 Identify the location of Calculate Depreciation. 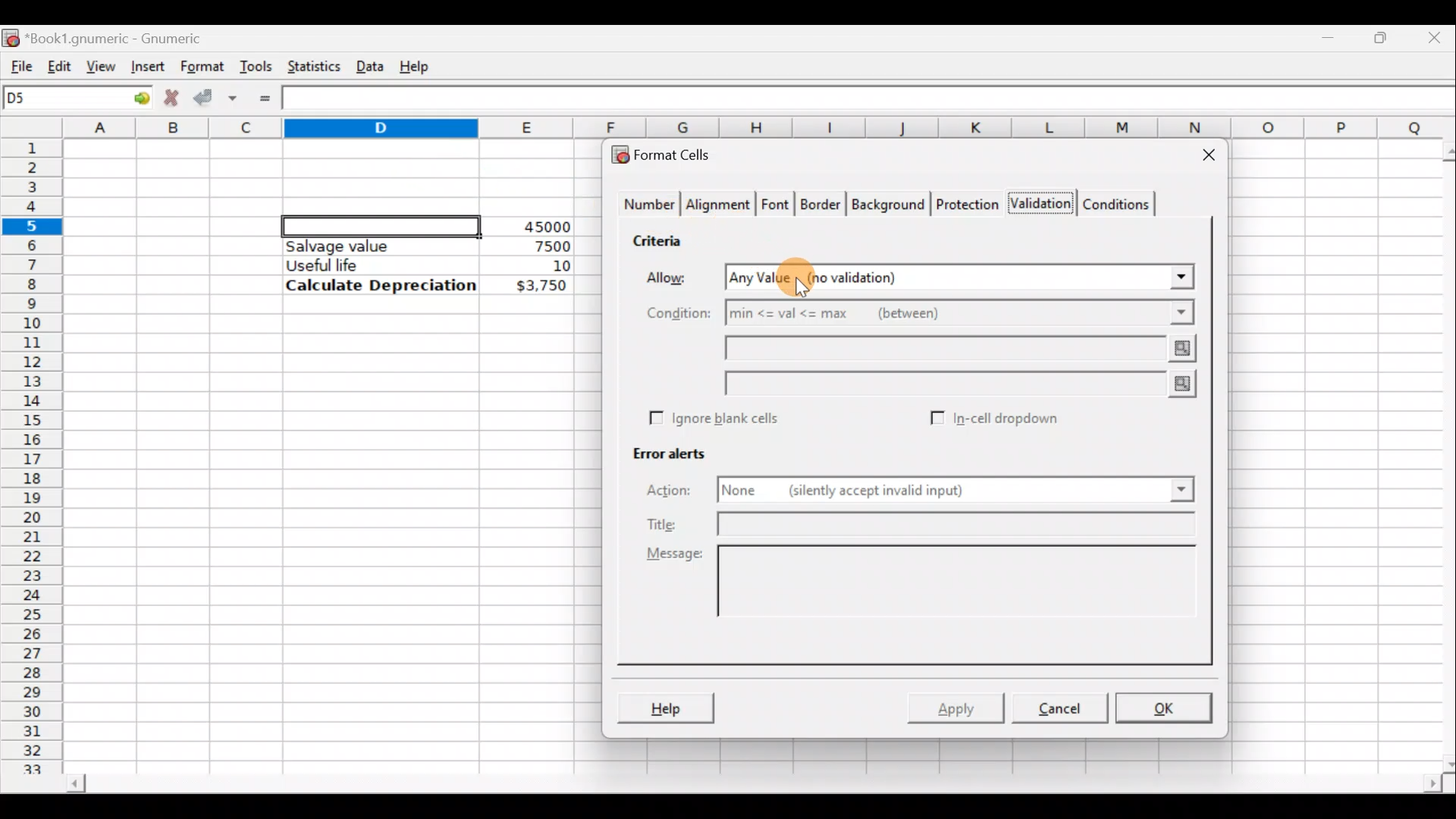
(381, 284).